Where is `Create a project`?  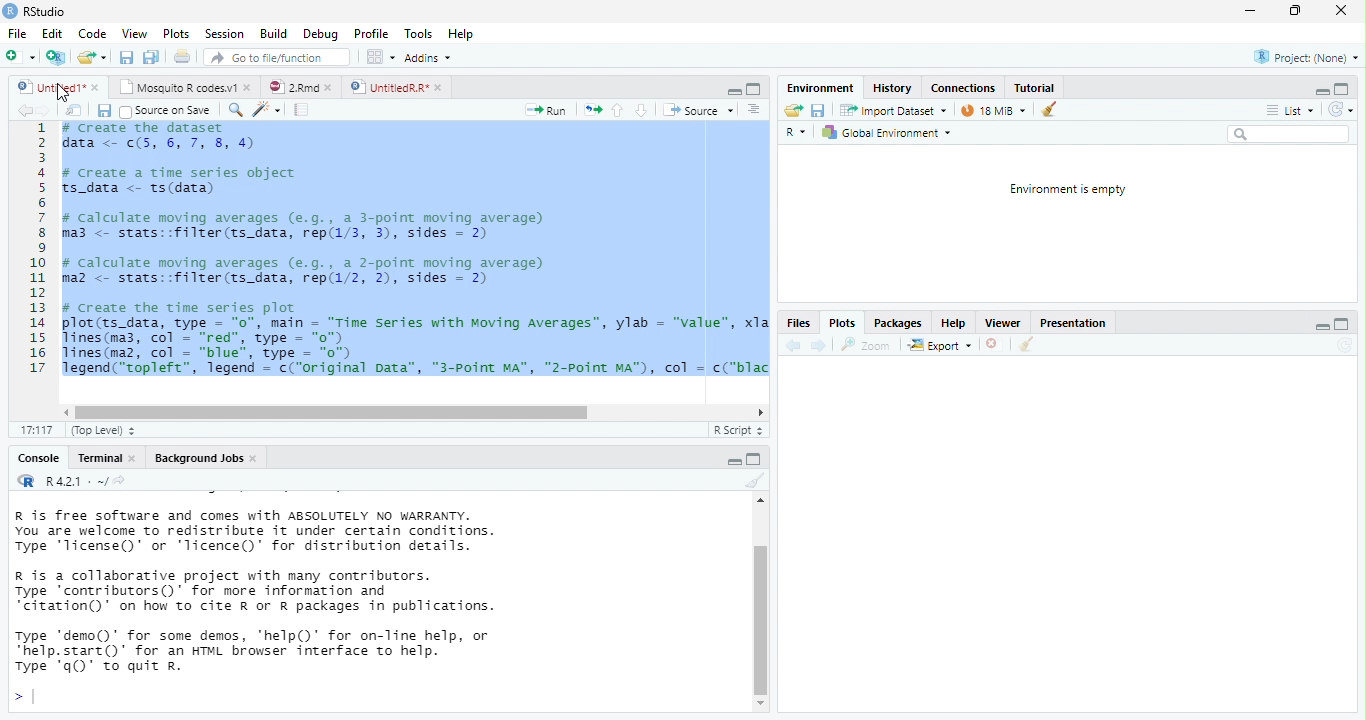
Create a project is located at coordinates (55, 57).